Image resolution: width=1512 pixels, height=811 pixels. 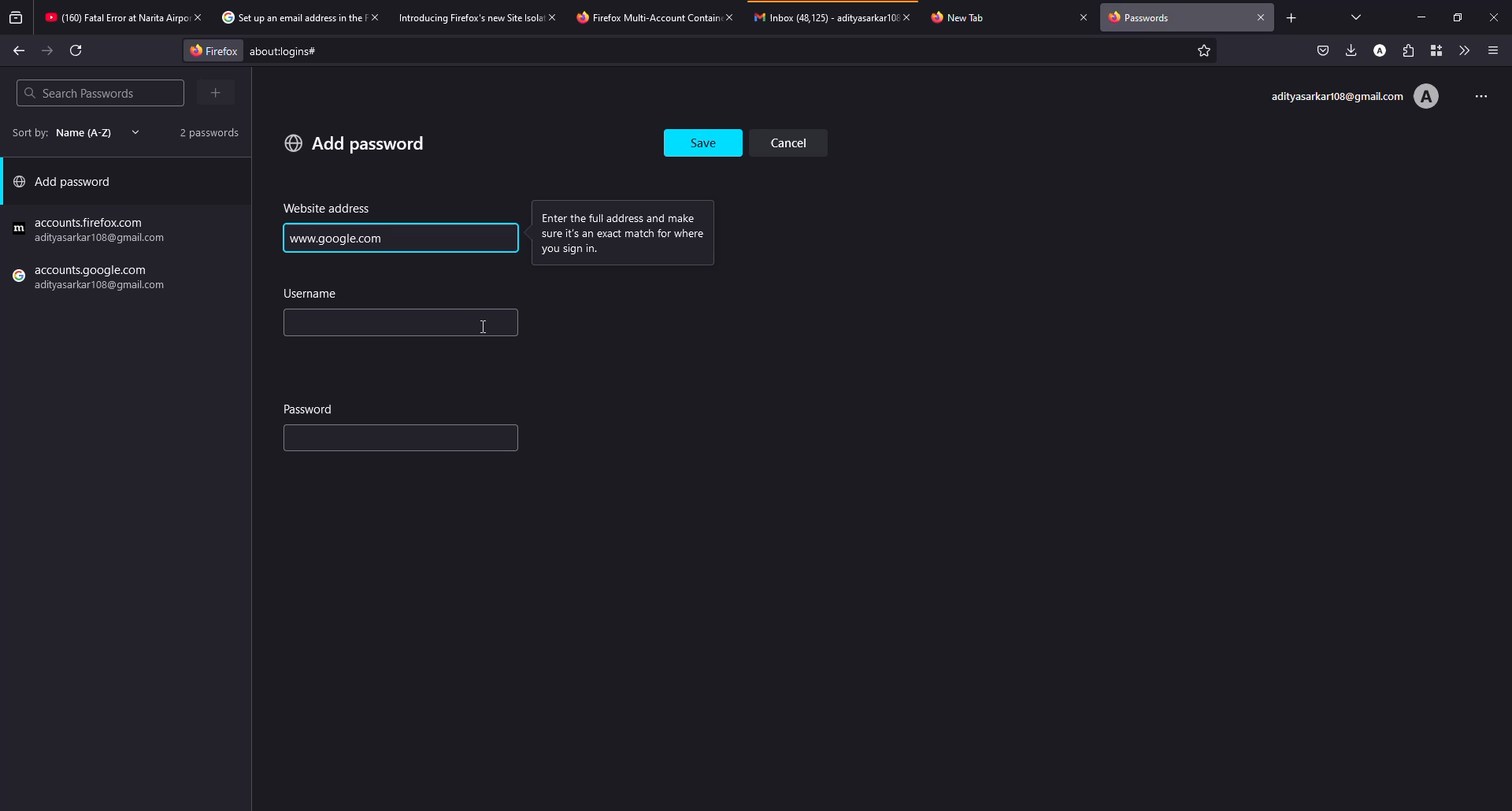 I want to click on close, so click(x=912, y=17).